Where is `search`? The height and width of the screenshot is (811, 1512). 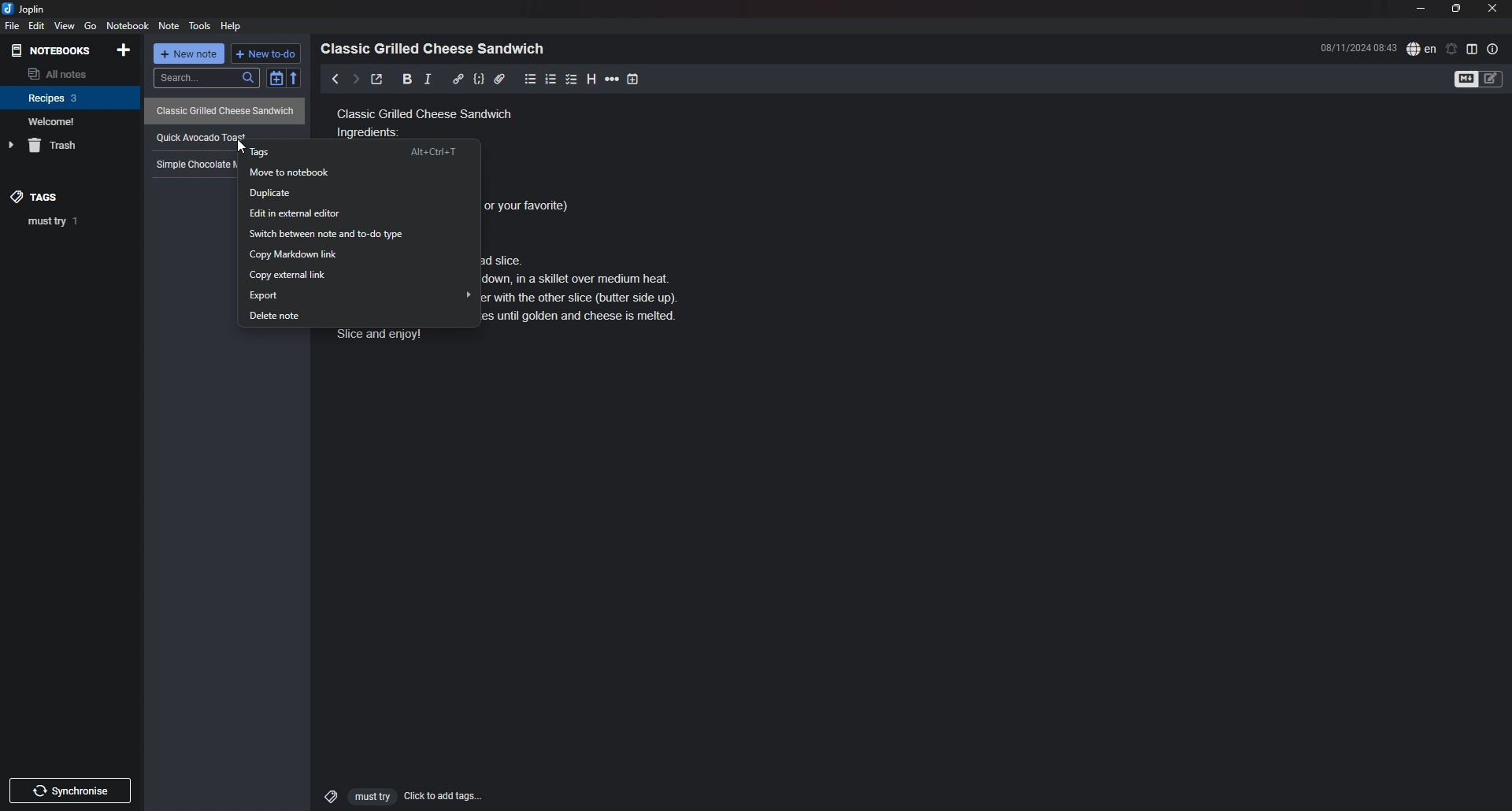 search is located at coordinates (206, 78).